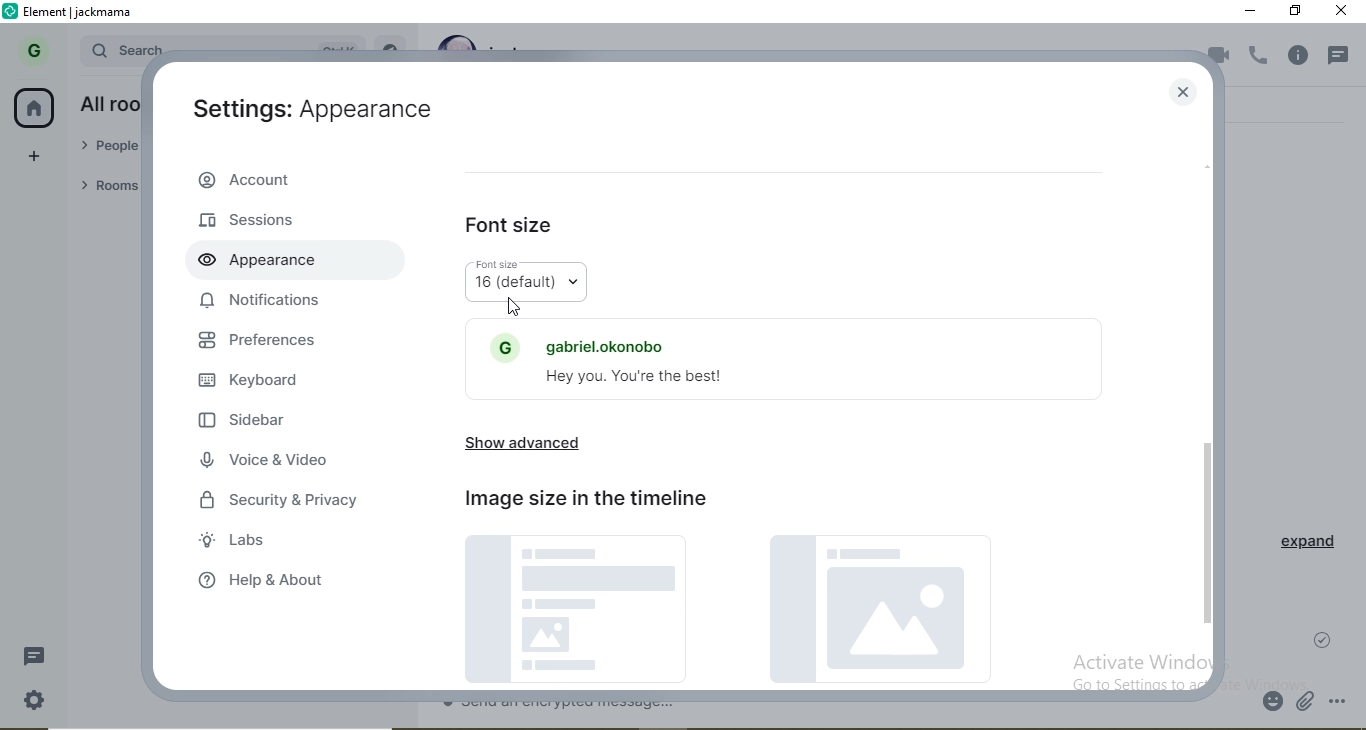  What do you see at coordinates (264, 301) in the screenshot?
I see `notifications` at bounding box center [264, 301].